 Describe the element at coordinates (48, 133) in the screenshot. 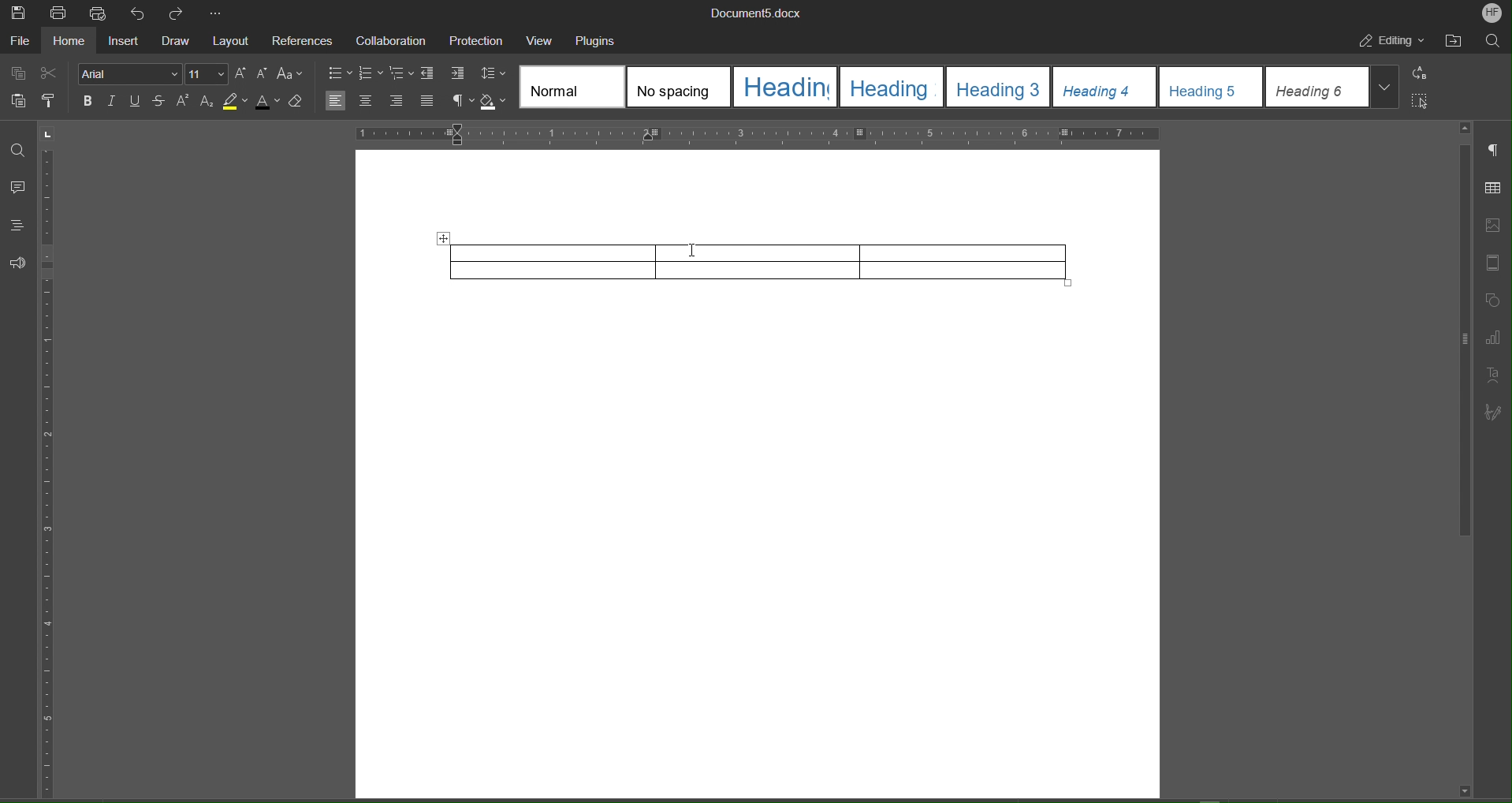

I see `page orientation` at that location.